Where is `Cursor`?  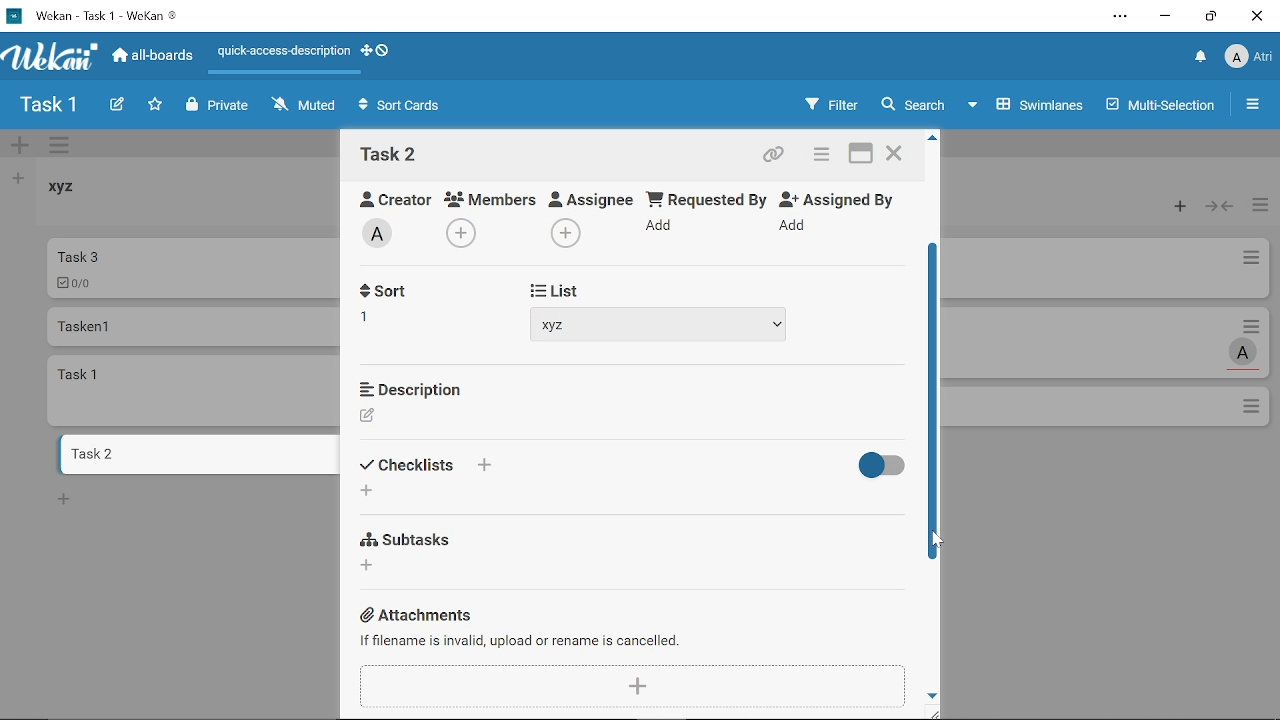
Cursor is located at coordinates (937, 541).